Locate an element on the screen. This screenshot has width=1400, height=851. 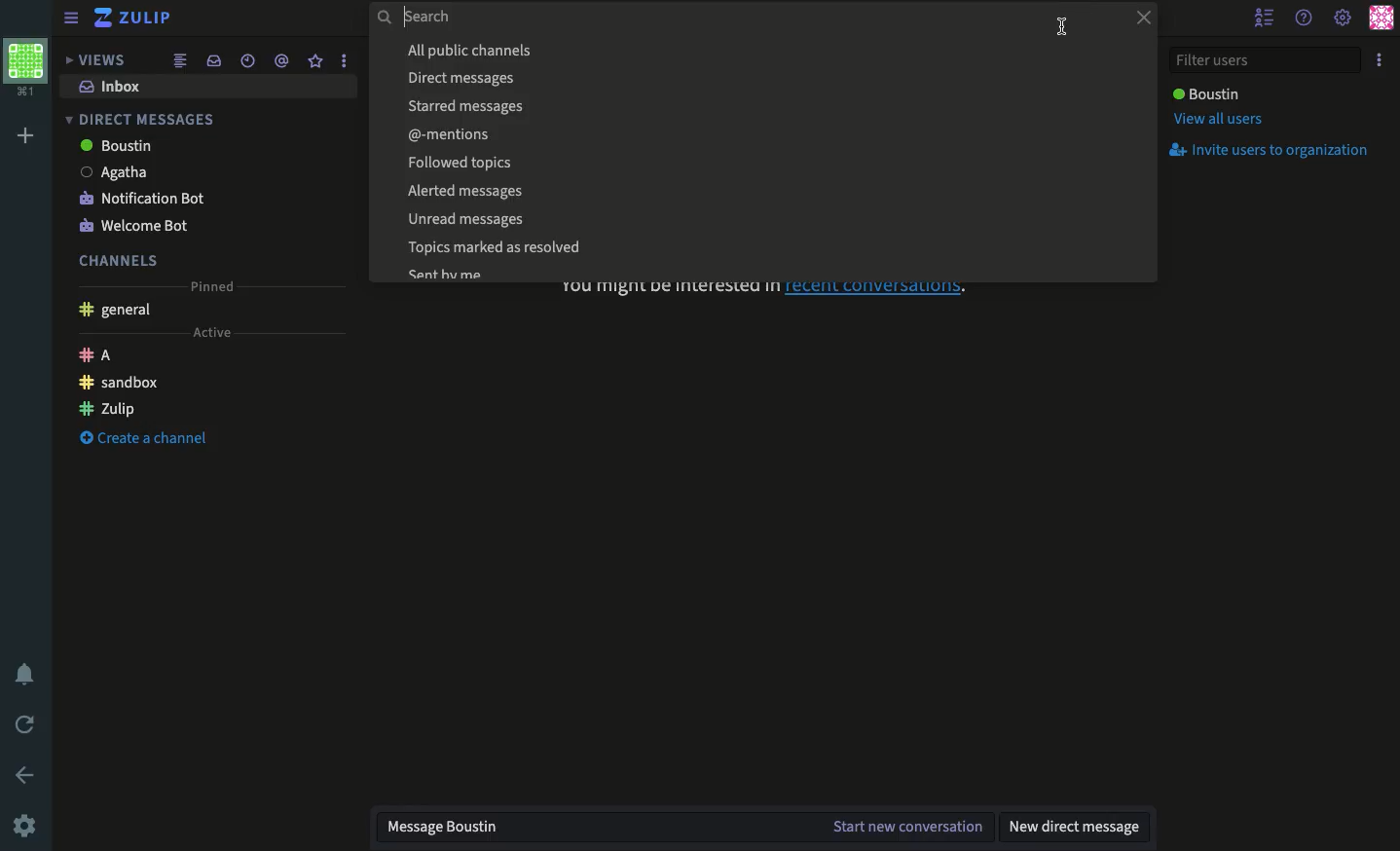
Unread messages is located at coordinates (763, 219).